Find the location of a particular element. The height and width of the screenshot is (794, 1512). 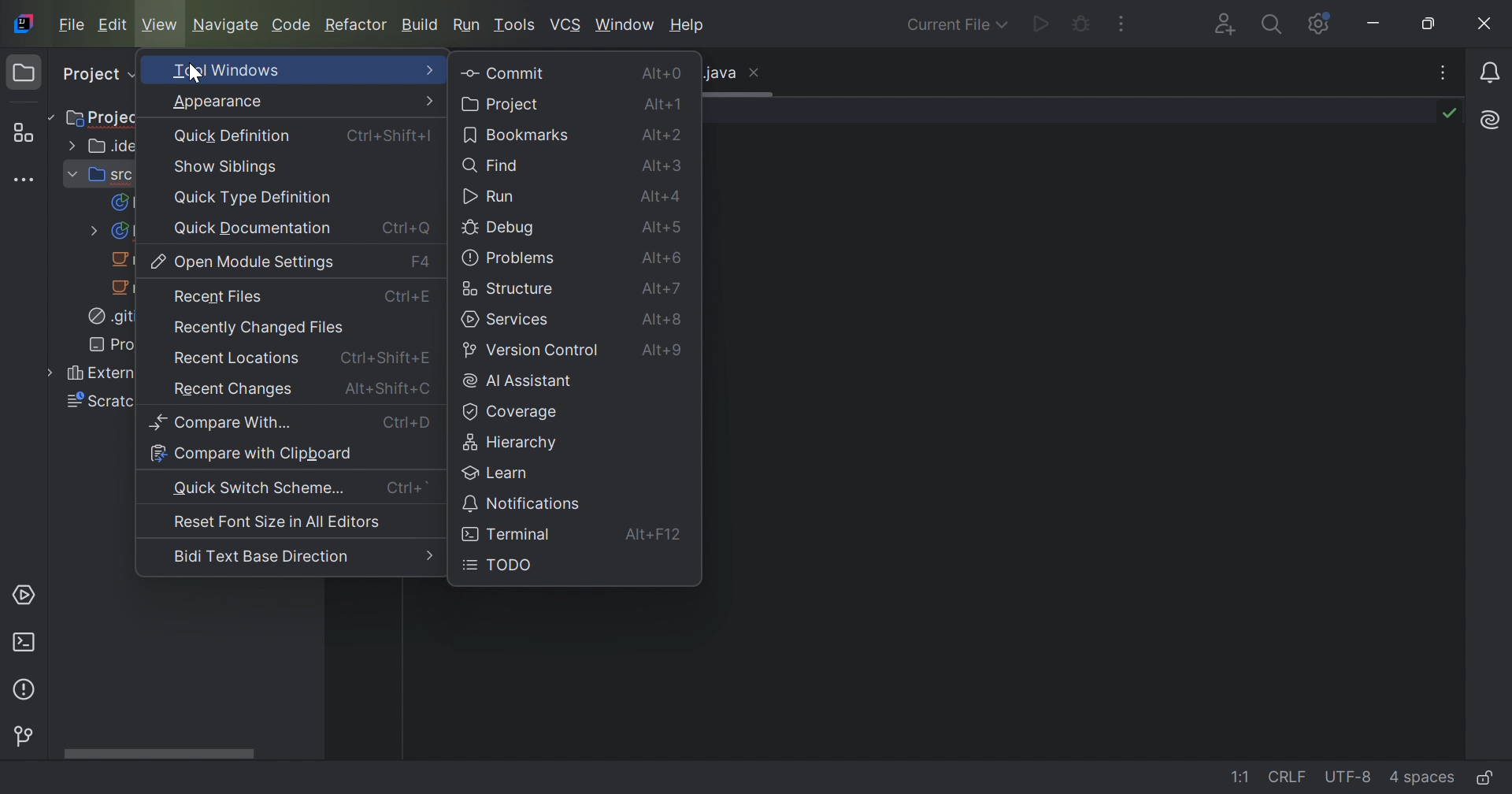

Run is located at coordinates (491, 198).